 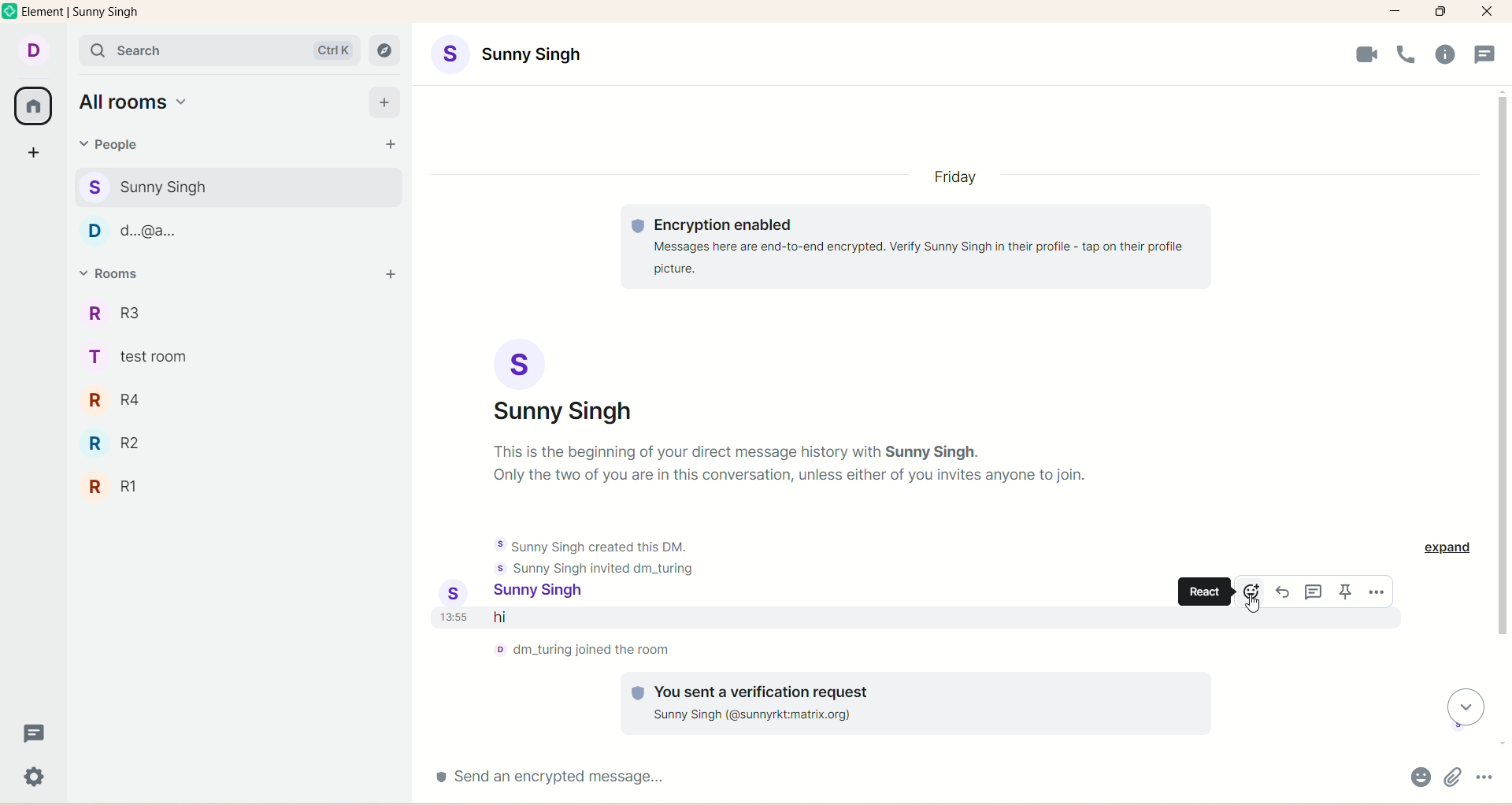 I want to click on message, so click(x=643, y=618).